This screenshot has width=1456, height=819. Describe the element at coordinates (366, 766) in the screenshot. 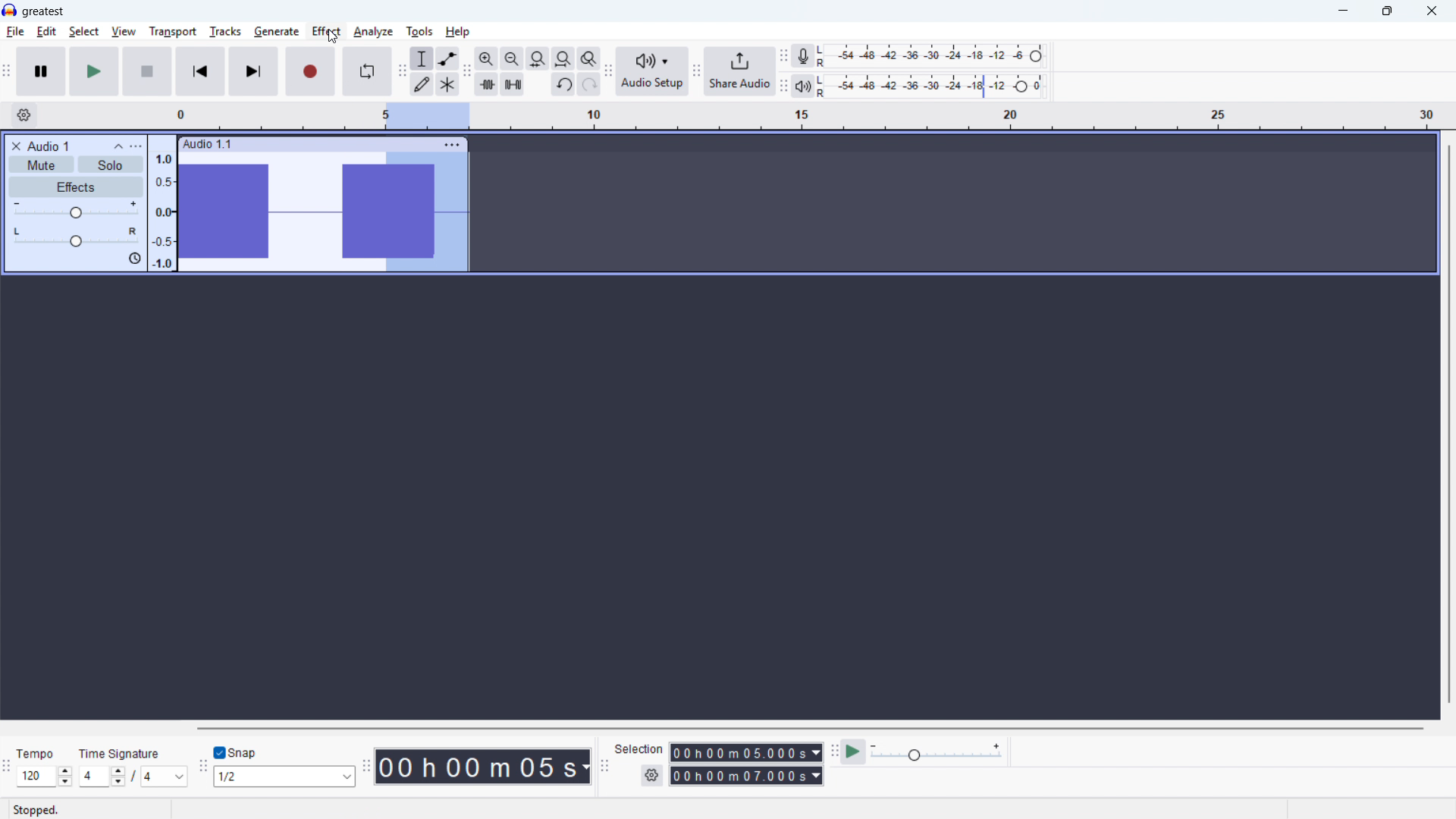

I see `Time toolbar ` at that location.